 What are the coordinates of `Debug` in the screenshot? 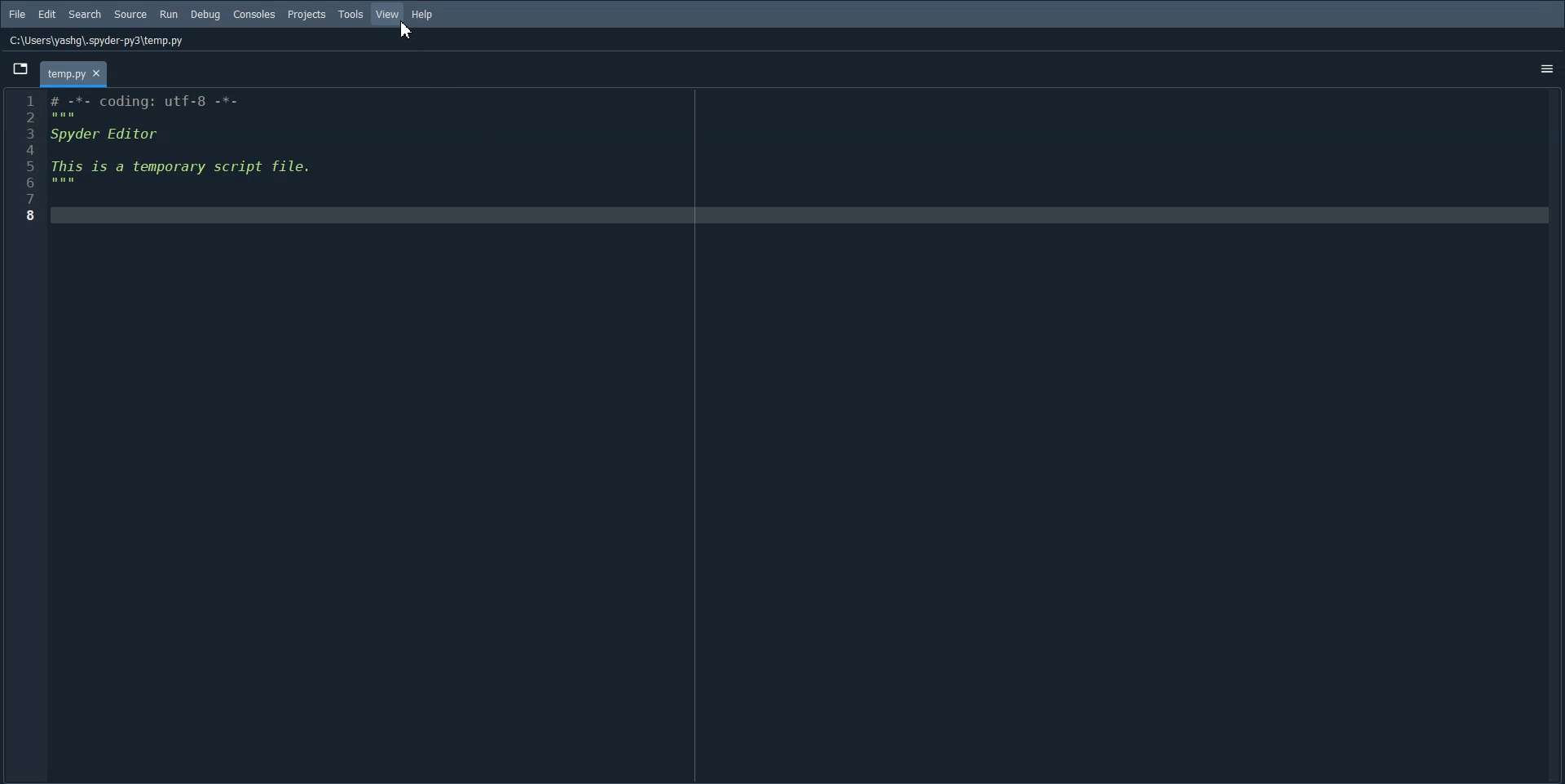 It's located at (205, 15).